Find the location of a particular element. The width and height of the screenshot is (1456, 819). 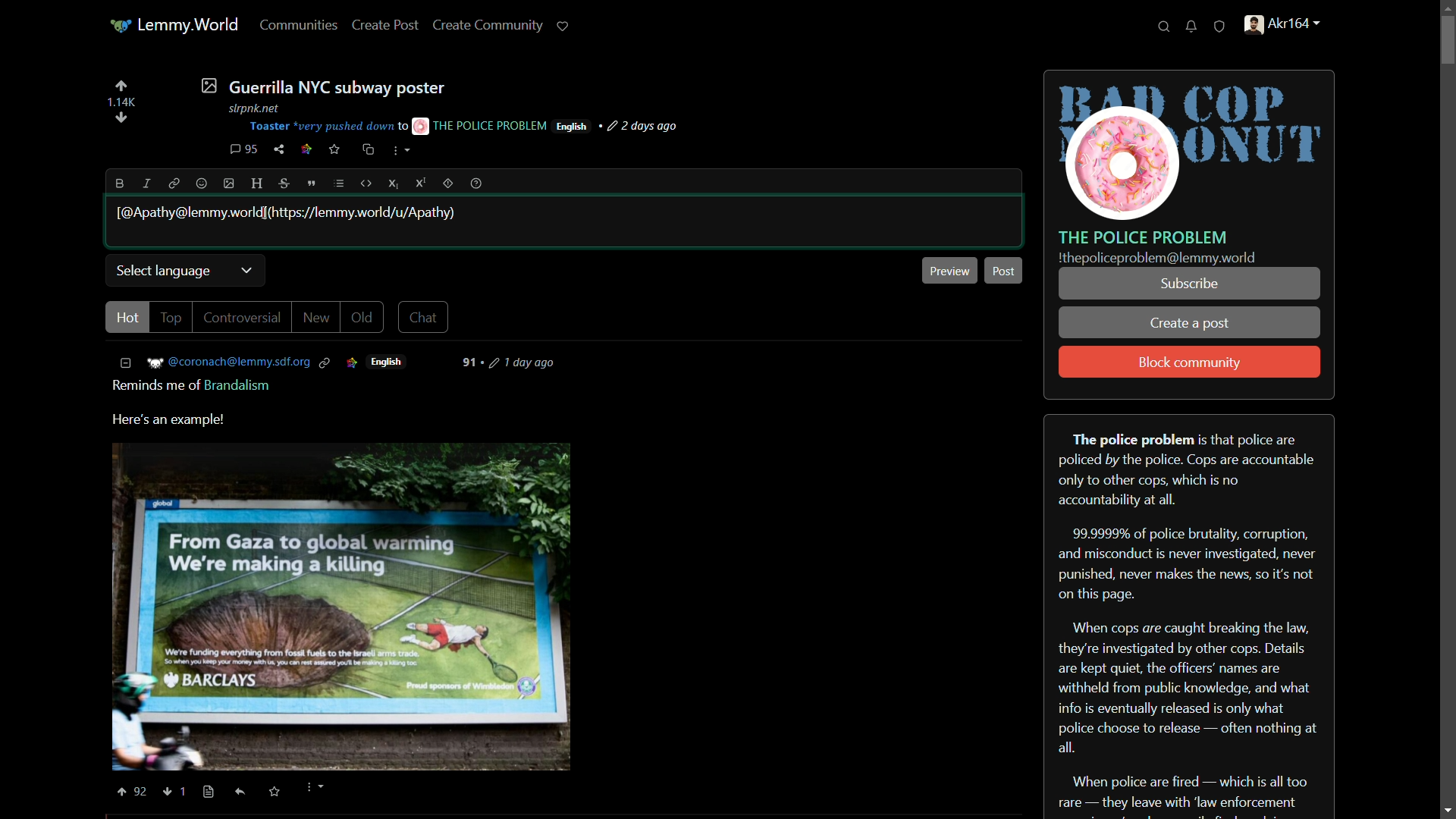

days  is located at coordinates (516, 362).